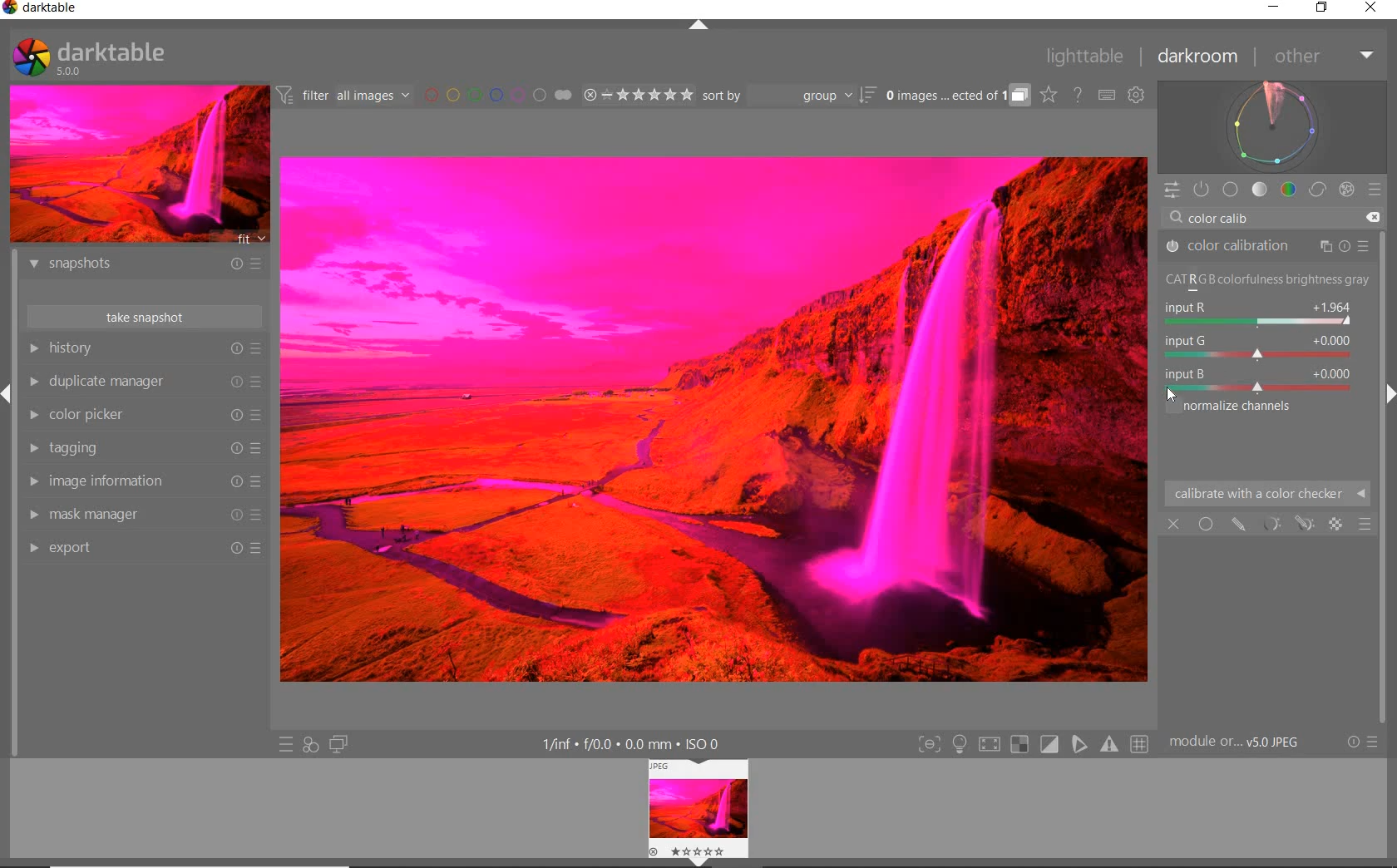  Describe the element at coordinates (1286, 525) in the screenshot. I see `MASK OPTIONS` at that location.